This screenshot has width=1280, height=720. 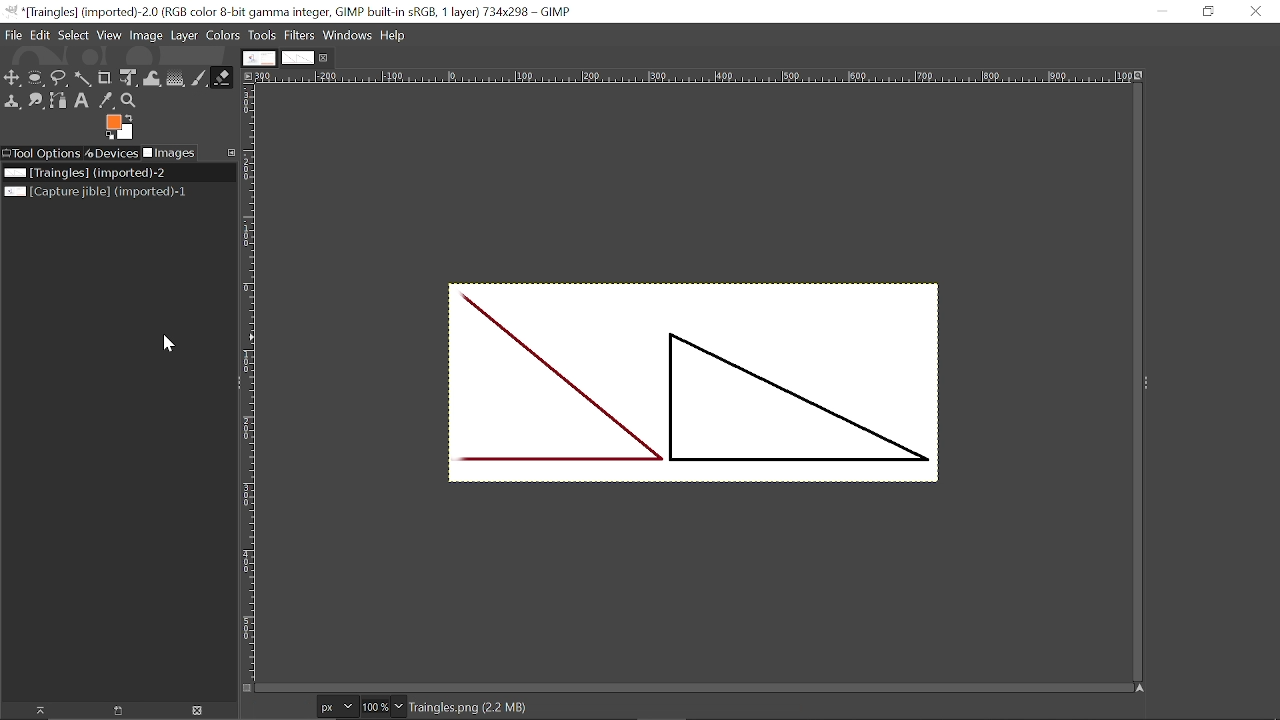 What do you see at coordinates (81, 79) in the screenshot?
I see `Fuzz select tool` at bounding box center [81, 79].